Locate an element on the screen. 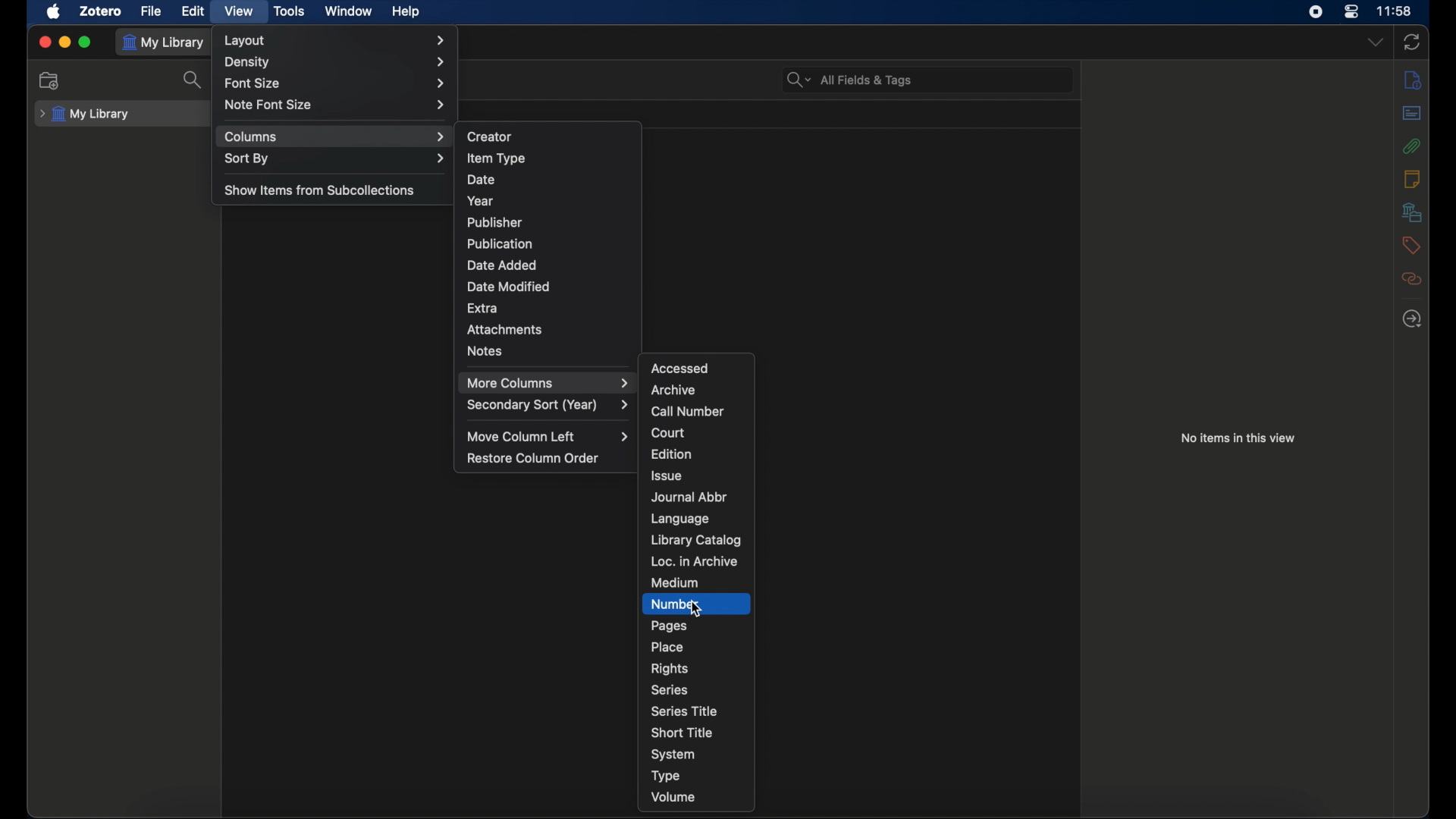 The image size is (1456, 819). number is located at coordinates (674, 603).